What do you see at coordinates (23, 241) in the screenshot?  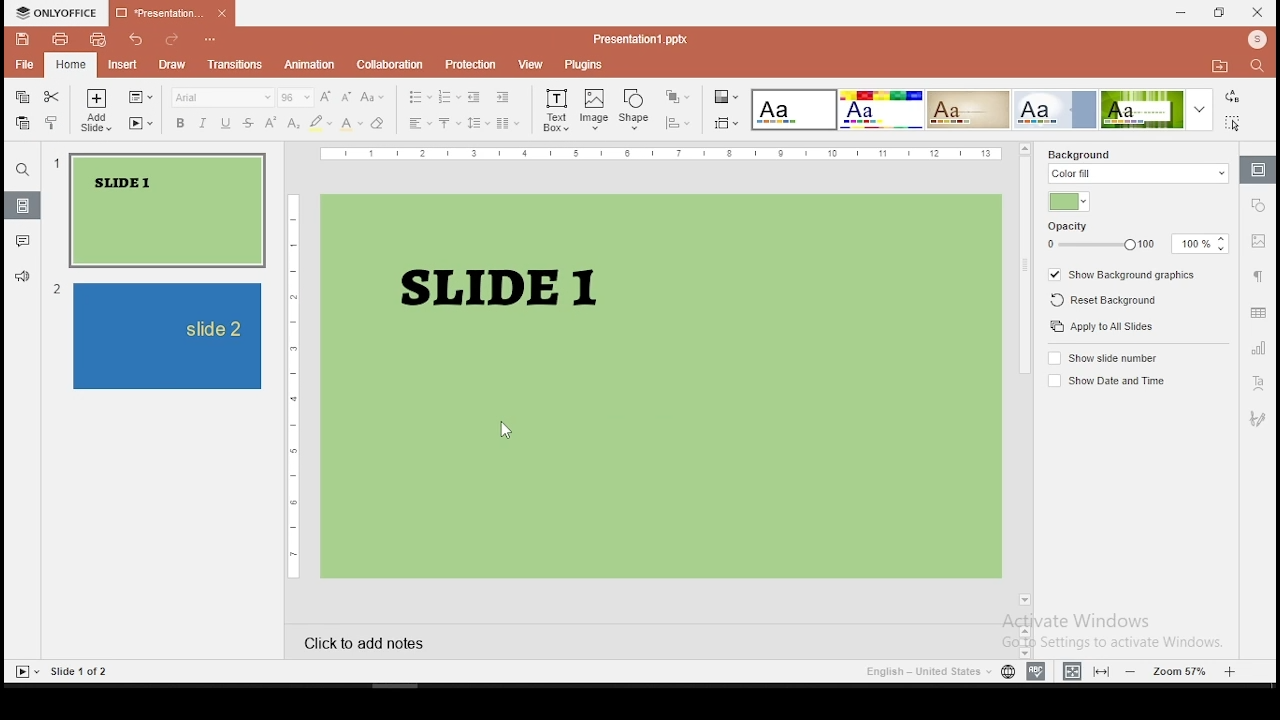 I see `comments` at bounding box center [23, 241].